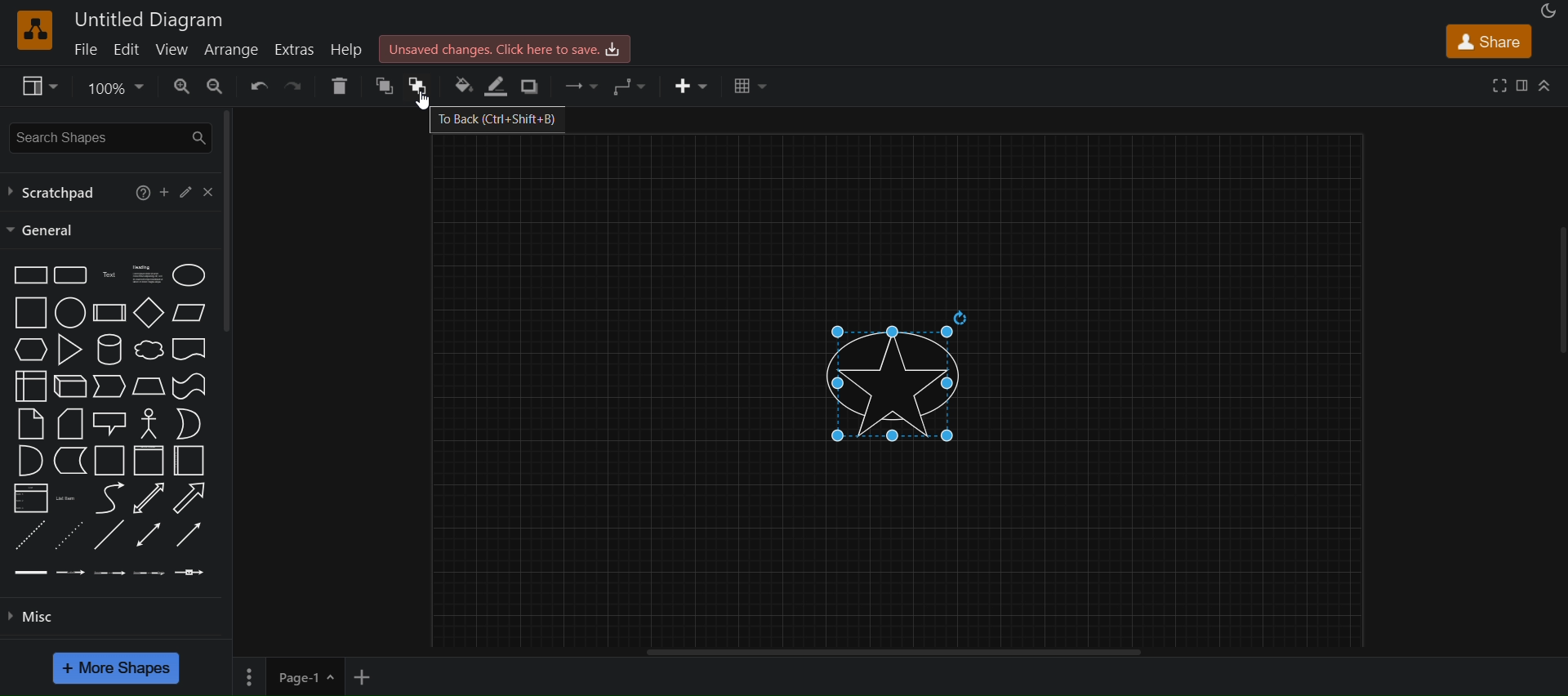 The image size is (1568, 696). What do you see at coordinates (109, 349) in the screenshot?
I see `cylinder` at bounding box center [109, 349].